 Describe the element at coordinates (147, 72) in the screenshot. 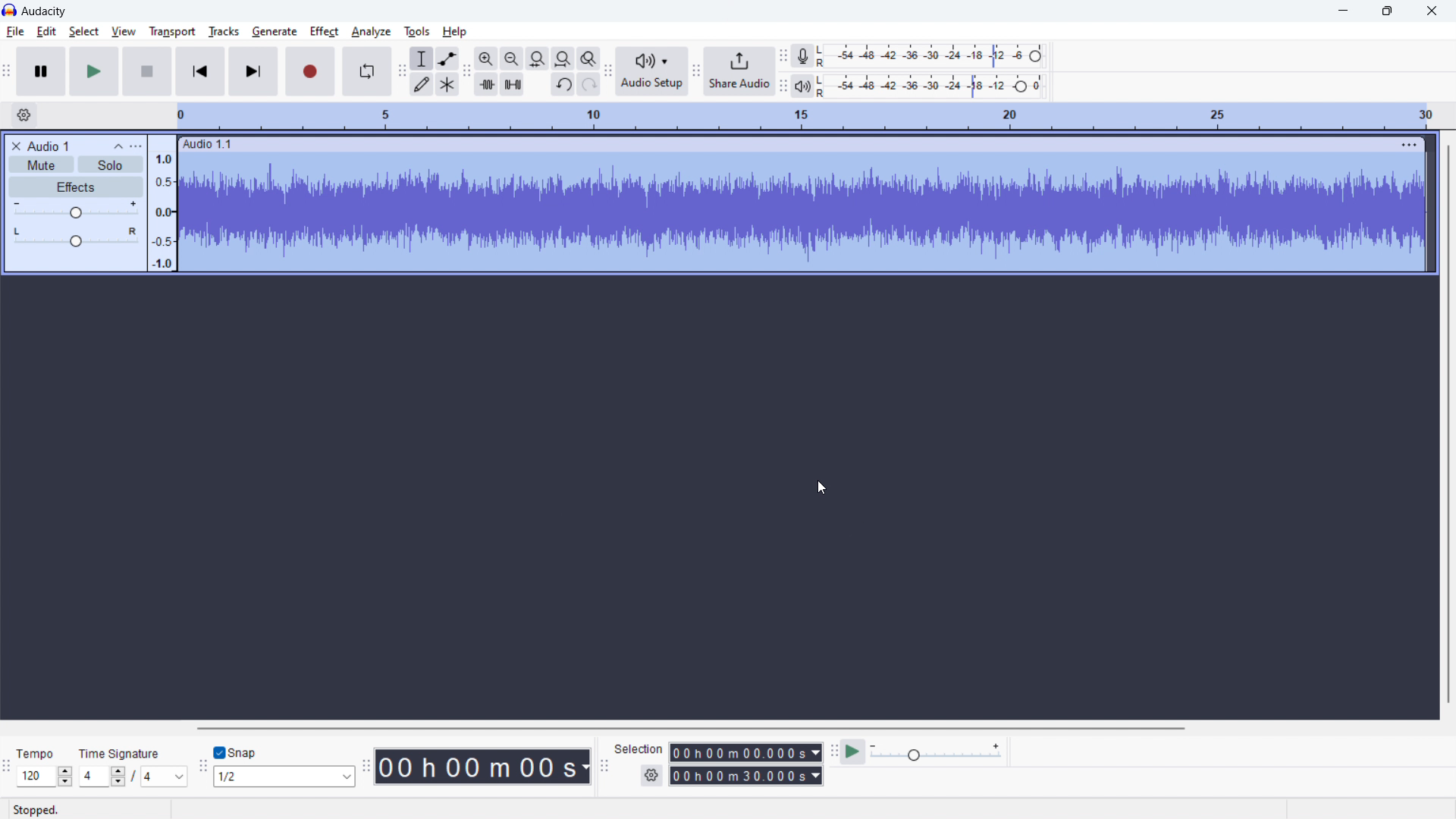

I see `stop` at that location.